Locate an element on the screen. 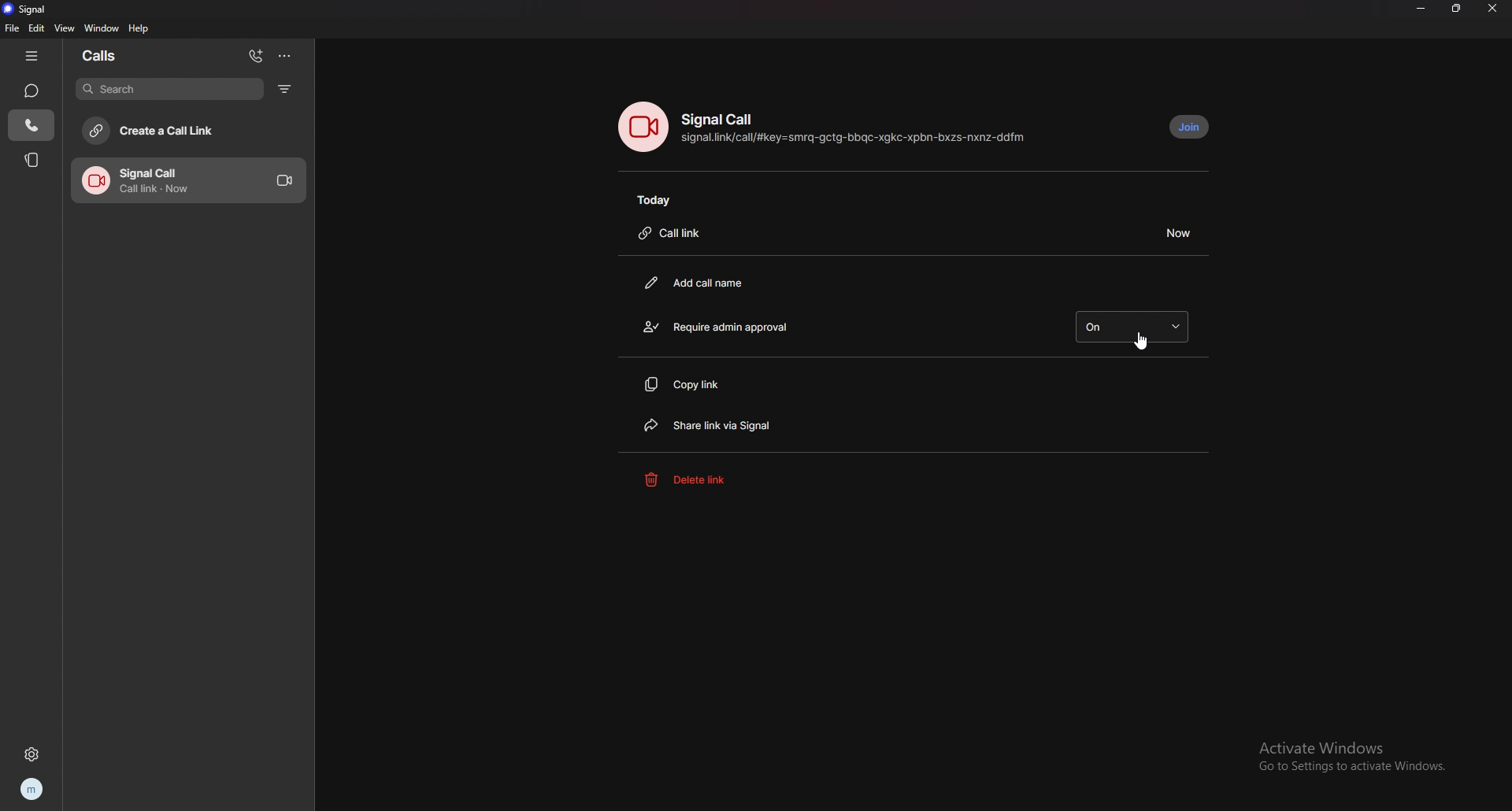 The image size is (1512, 811). call link is located at coordinates (674, 233).